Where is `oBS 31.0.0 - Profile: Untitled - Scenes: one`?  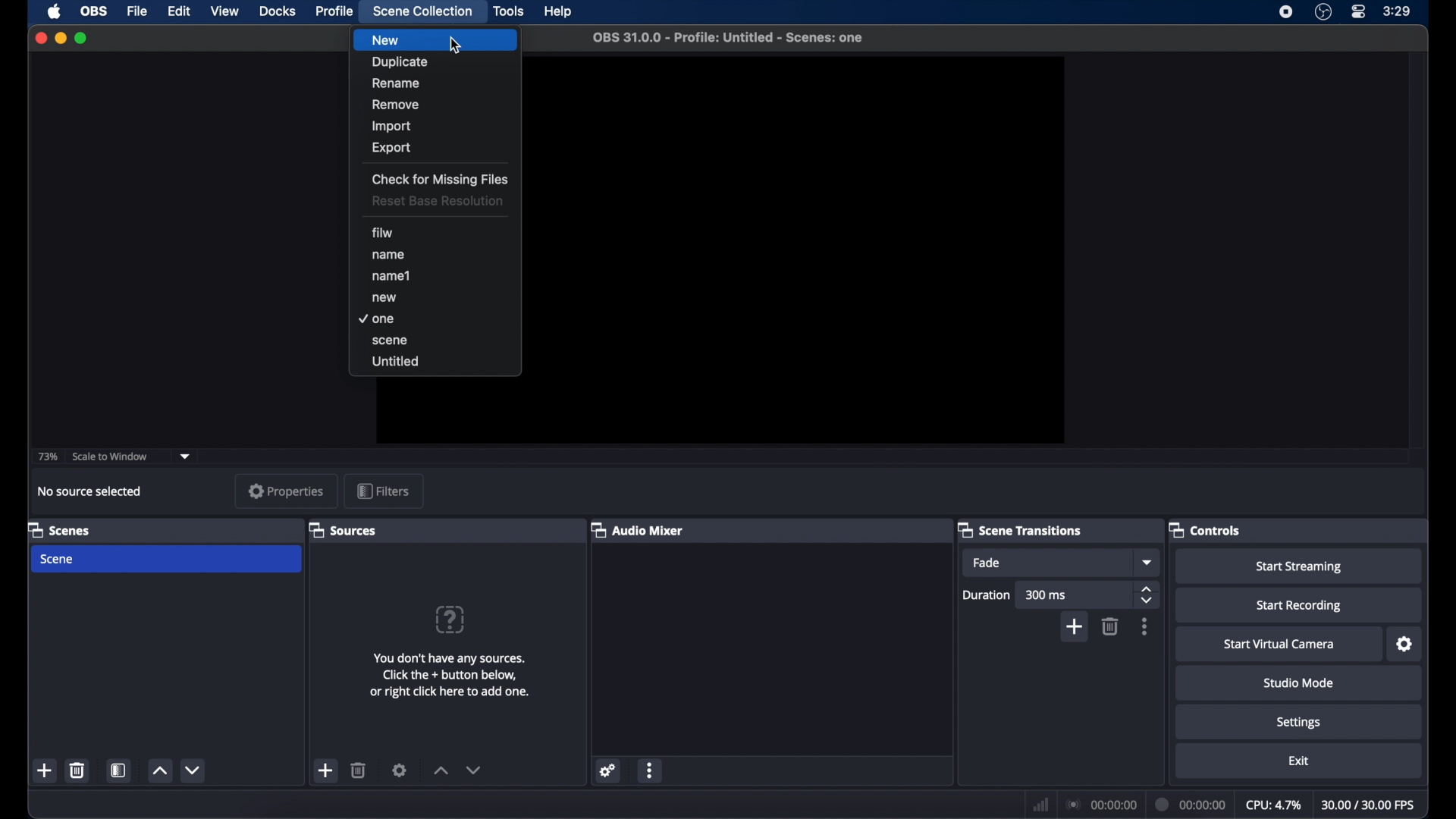 oBS 31.0.0 - Profile: Untitled - Scenes: one is located at coordinates (730, 38).